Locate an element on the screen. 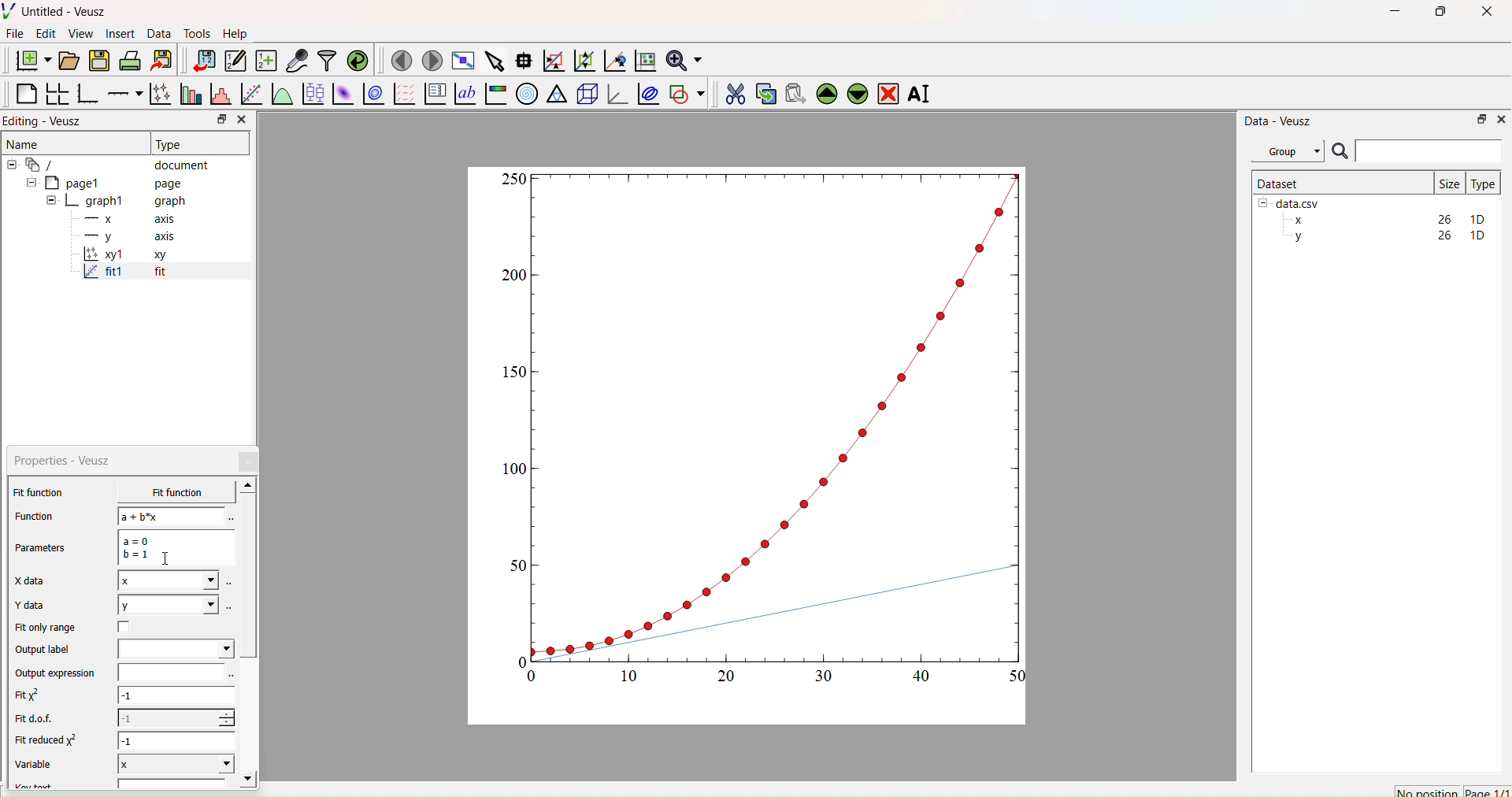  Output label is located at coordinates (44, 651).